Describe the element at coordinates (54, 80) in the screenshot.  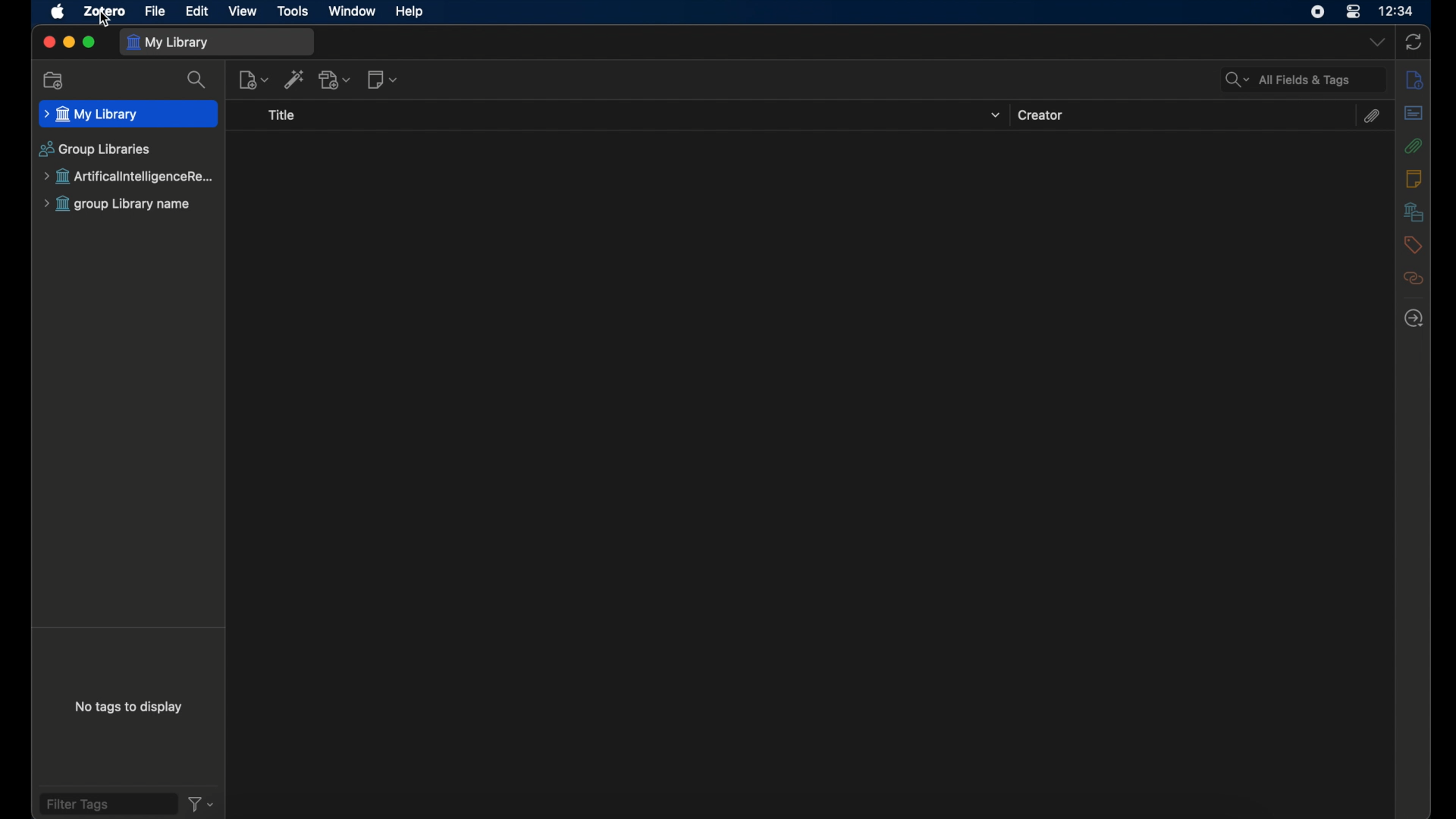
I see `new collection` at that location.